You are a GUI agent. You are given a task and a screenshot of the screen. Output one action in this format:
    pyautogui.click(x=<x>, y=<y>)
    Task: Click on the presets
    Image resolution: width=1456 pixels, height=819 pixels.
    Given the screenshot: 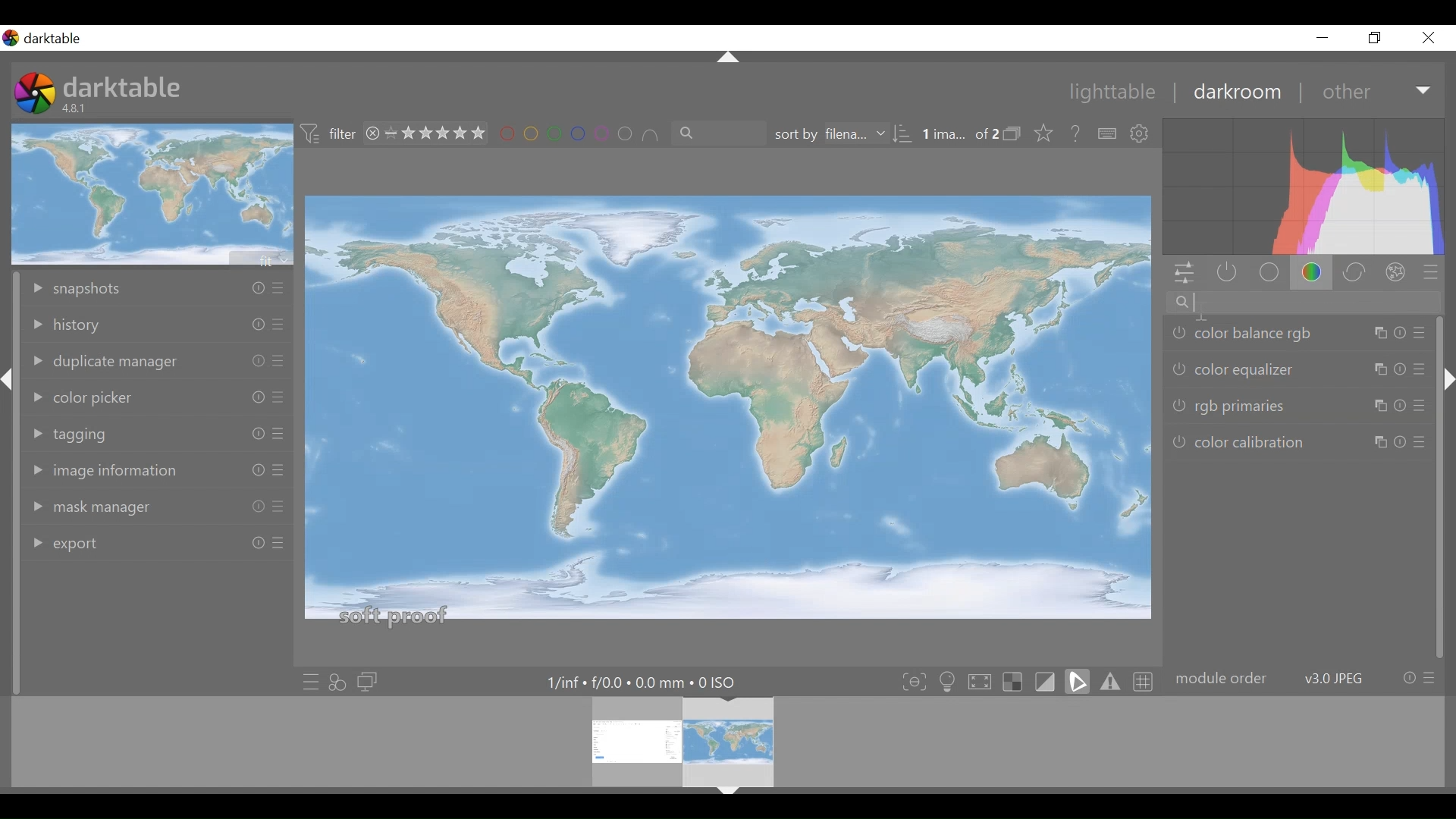 What is the action you would take?
    pyautogui.click(x=1431, y=276)
    